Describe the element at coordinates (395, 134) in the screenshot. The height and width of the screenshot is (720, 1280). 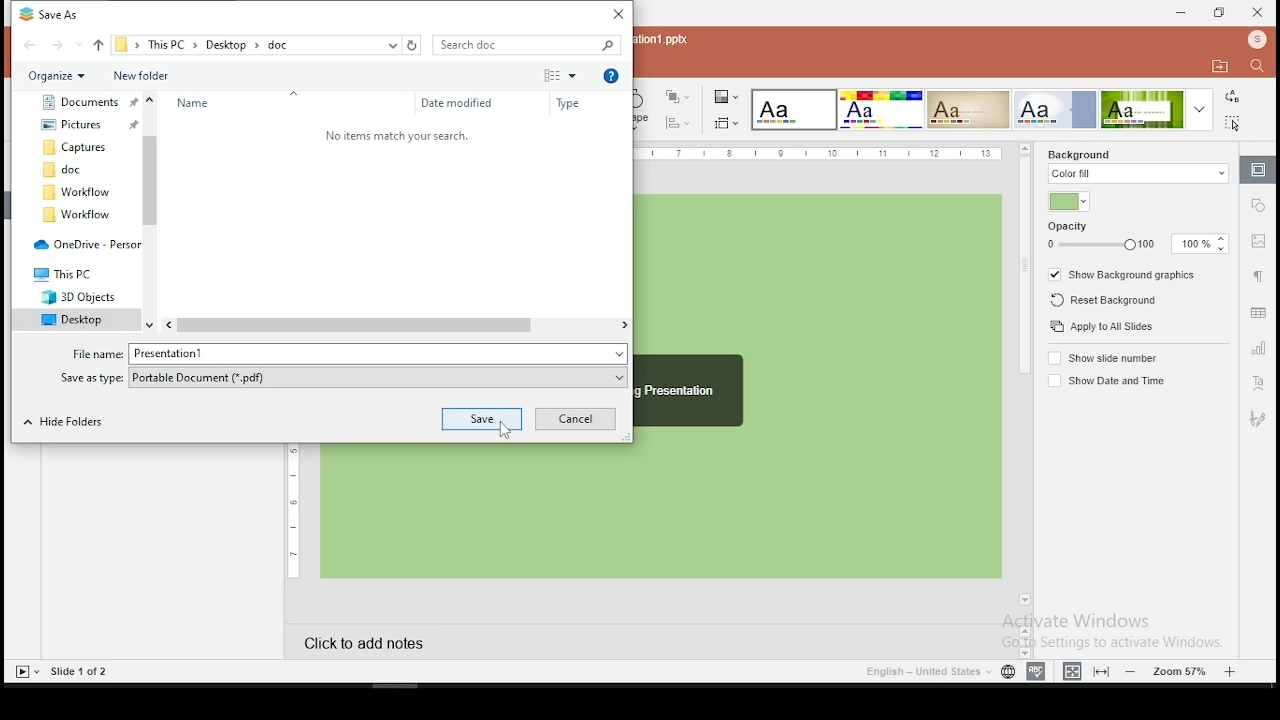
I see `text` at that location.